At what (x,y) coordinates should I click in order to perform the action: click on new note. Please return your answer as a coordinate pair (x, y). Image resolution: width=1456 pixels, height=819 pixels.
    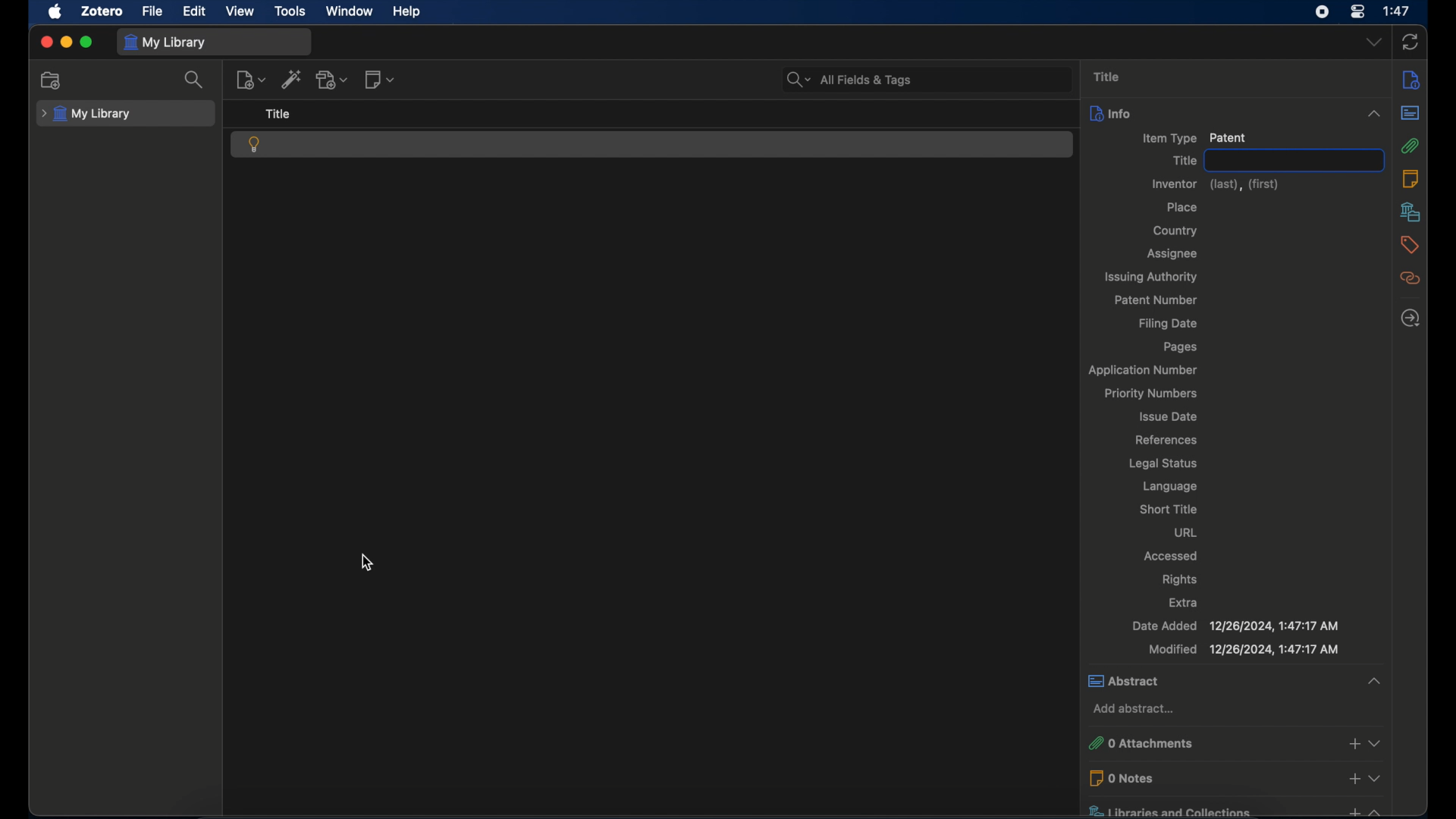
    Looking at the image, I should click on (378, 80).